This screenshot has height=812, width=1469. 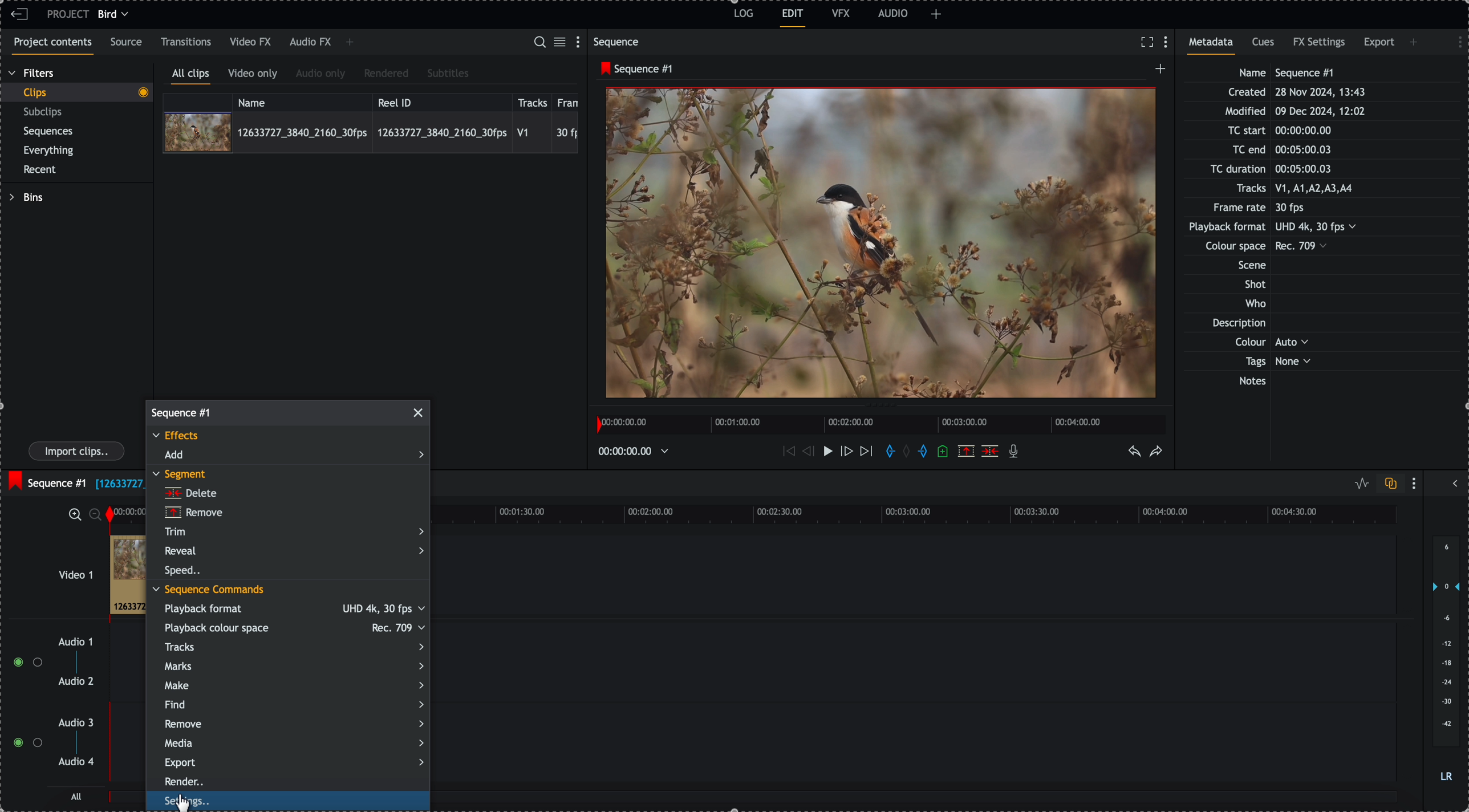 What do you see at coordinates (294, 610) in the screenshot?
I see `playback format` at bounding box center [294, 610].